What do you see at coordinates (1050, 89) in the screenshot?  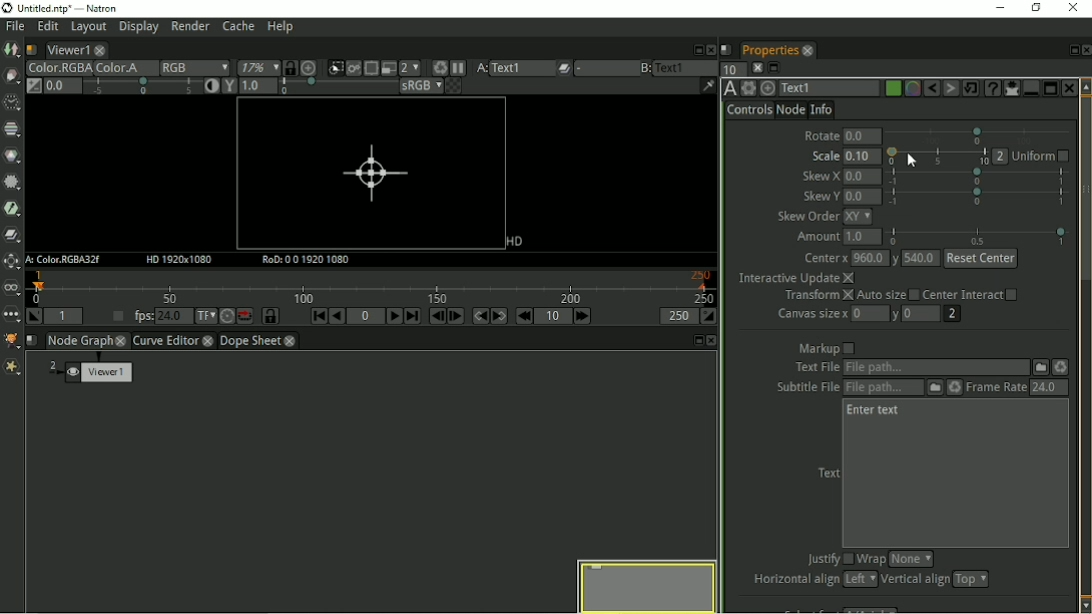 I see `Maximize` at bounding box center [1050, 89].